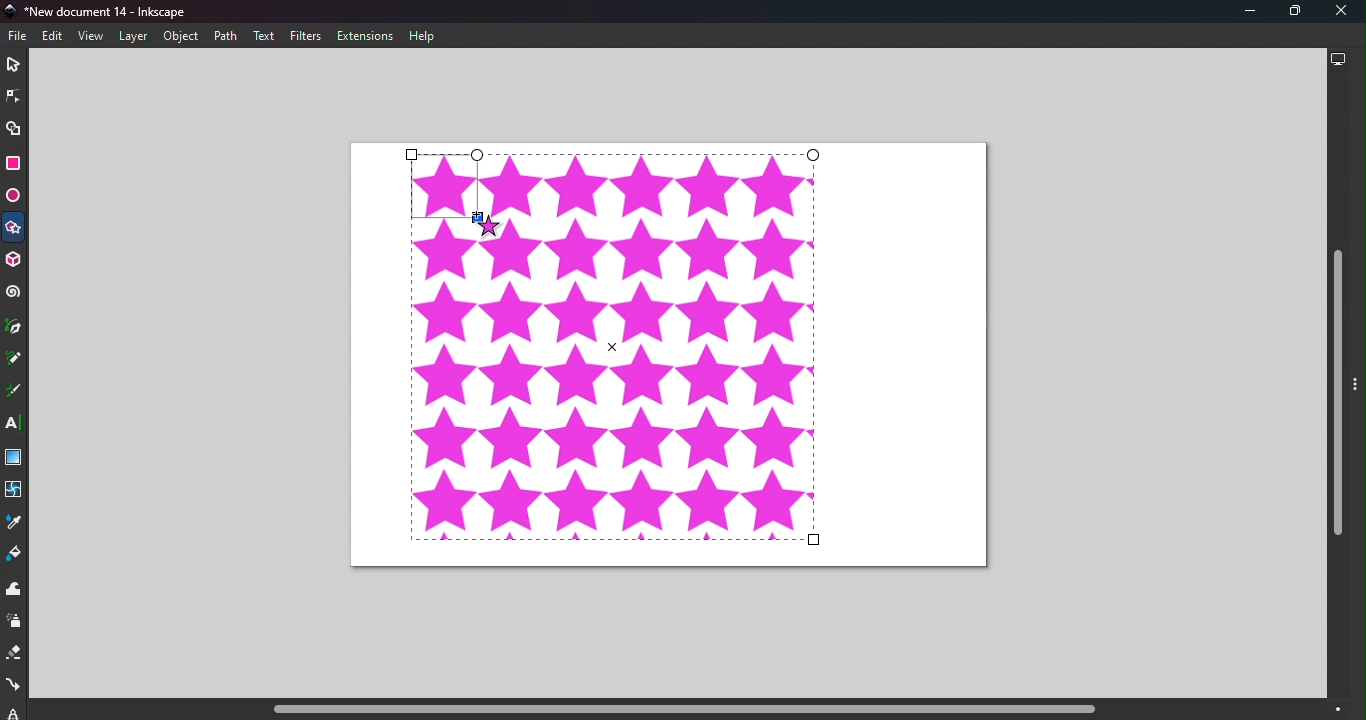 The width and height of the screenshot is (1366, 720). What do you see at coordinates (52, 37) in the screenshot?
I see `Edit` at bounding box center [52, 37].